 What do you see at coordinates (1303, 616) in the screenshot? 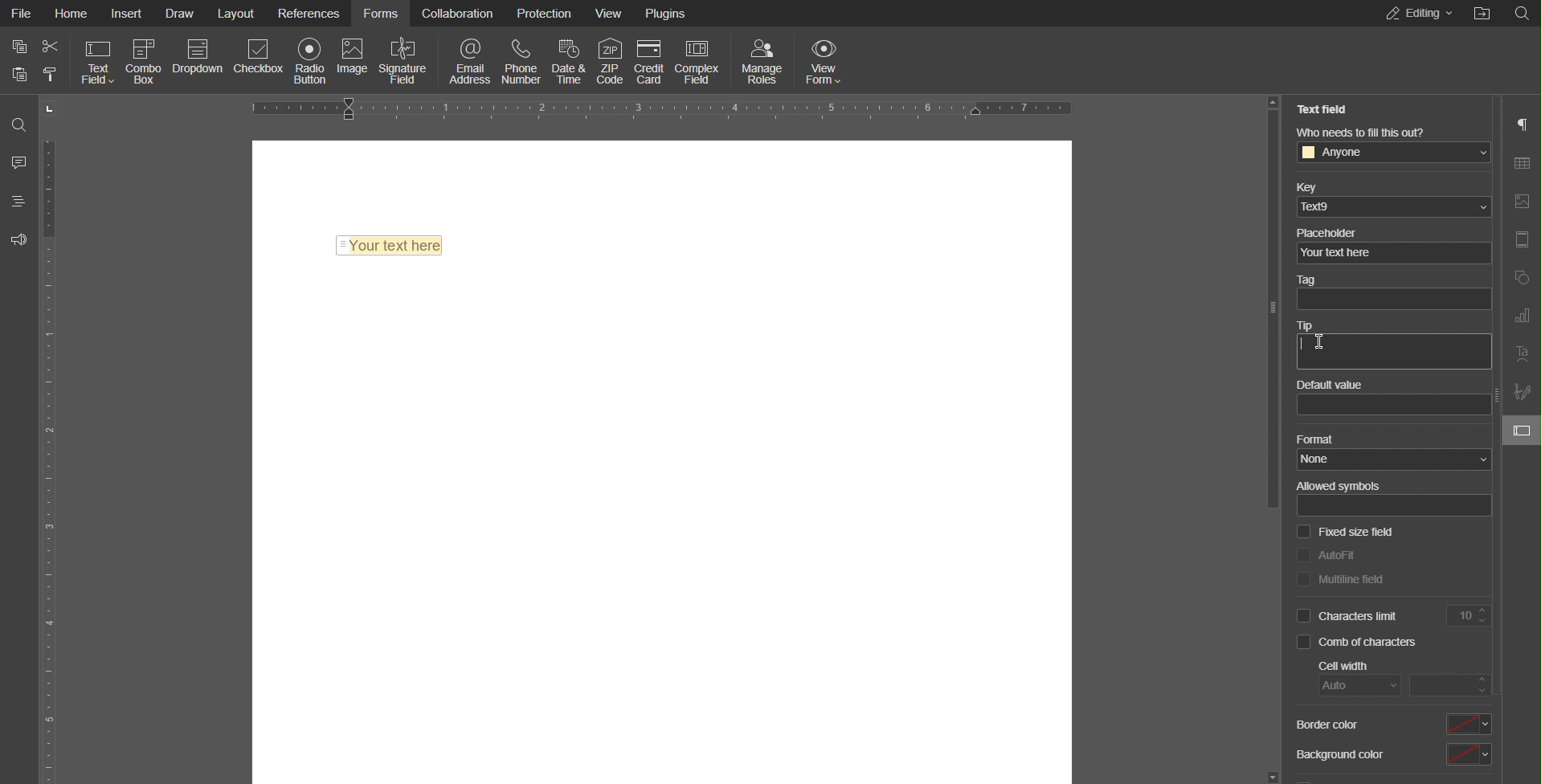
I see `checkbox` at bounding box center [1303, 616].